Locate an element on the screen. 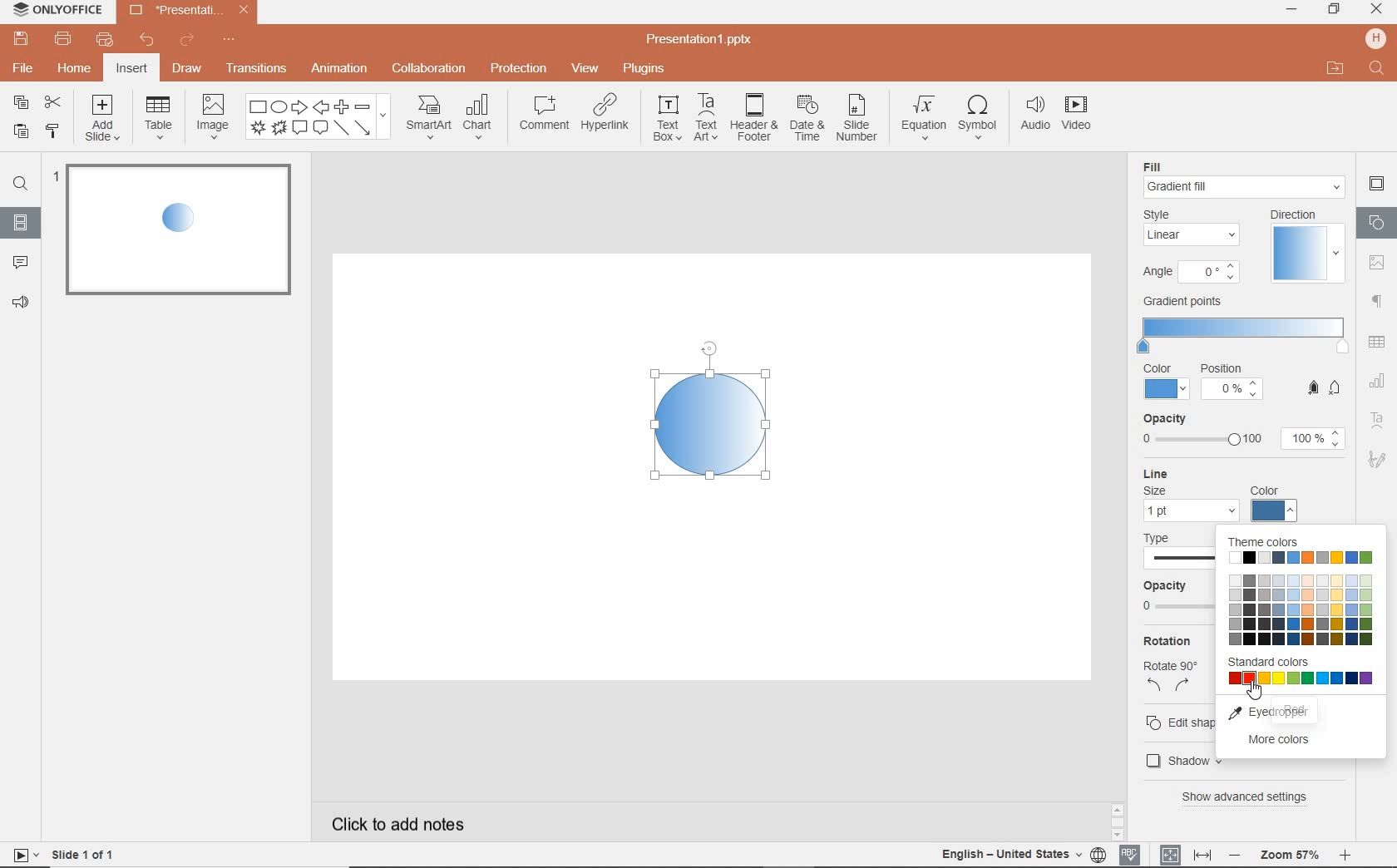  eyedropper is located at coordinates (1292, 713).